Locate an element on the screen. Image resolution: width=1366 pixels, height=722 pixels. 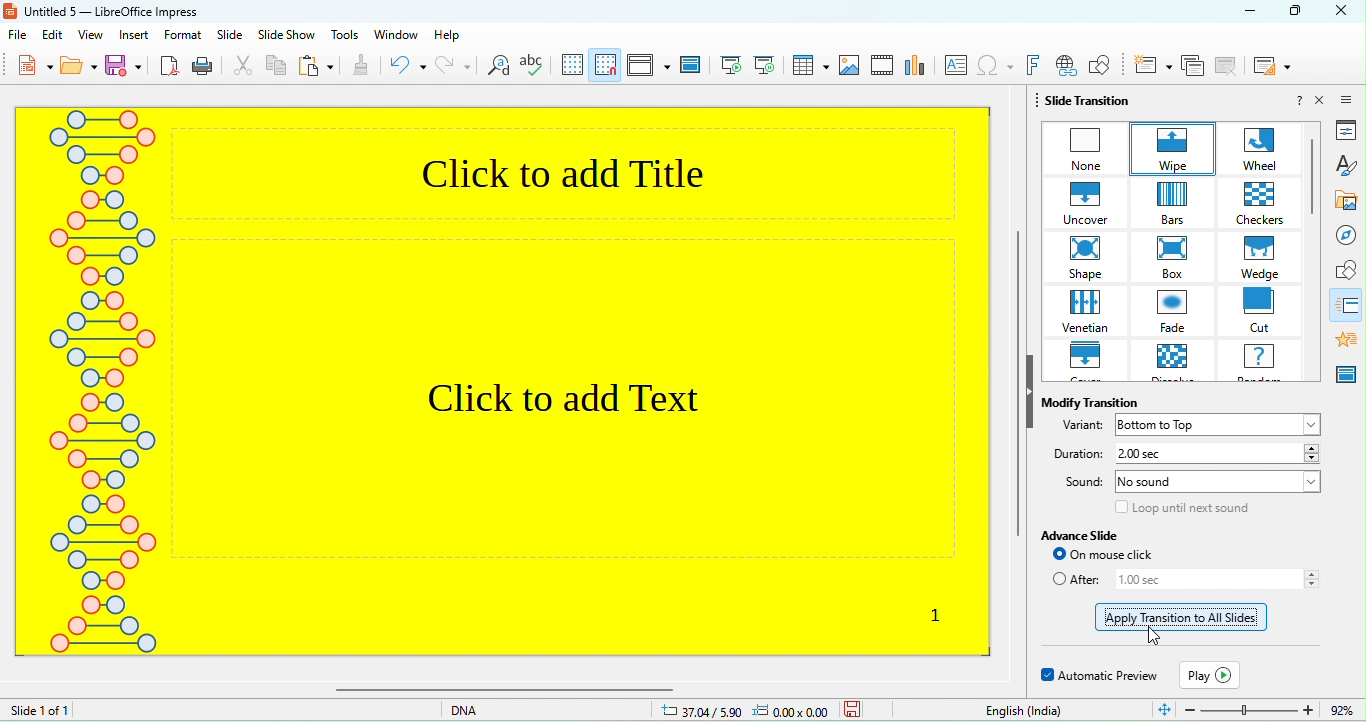
master slide is located at coordinates (1349, 374).